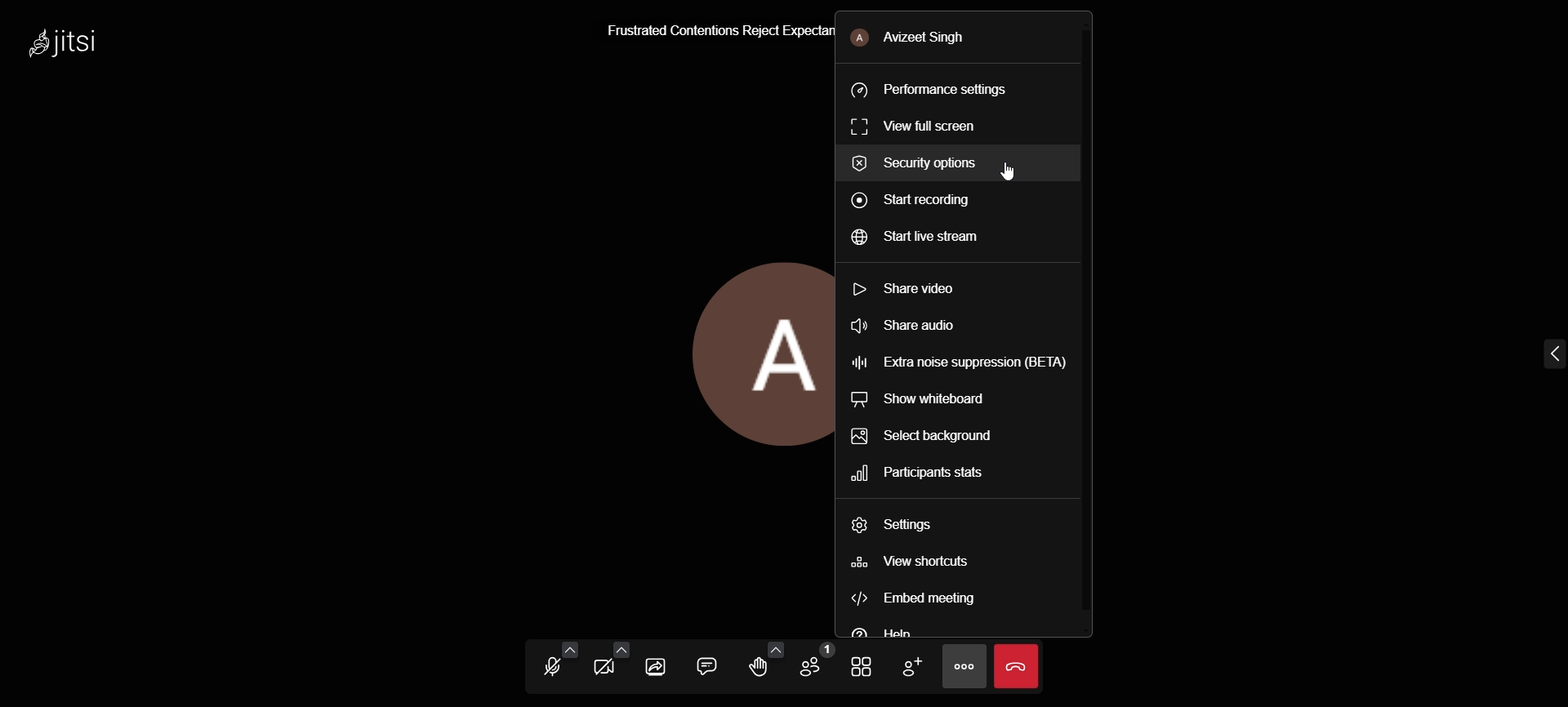 The height and width of the screenshot is (707, 1568). What do you see at coordinates (656, 663) in the screenshot?
I see `share screen` at bounding box center [656, 663].